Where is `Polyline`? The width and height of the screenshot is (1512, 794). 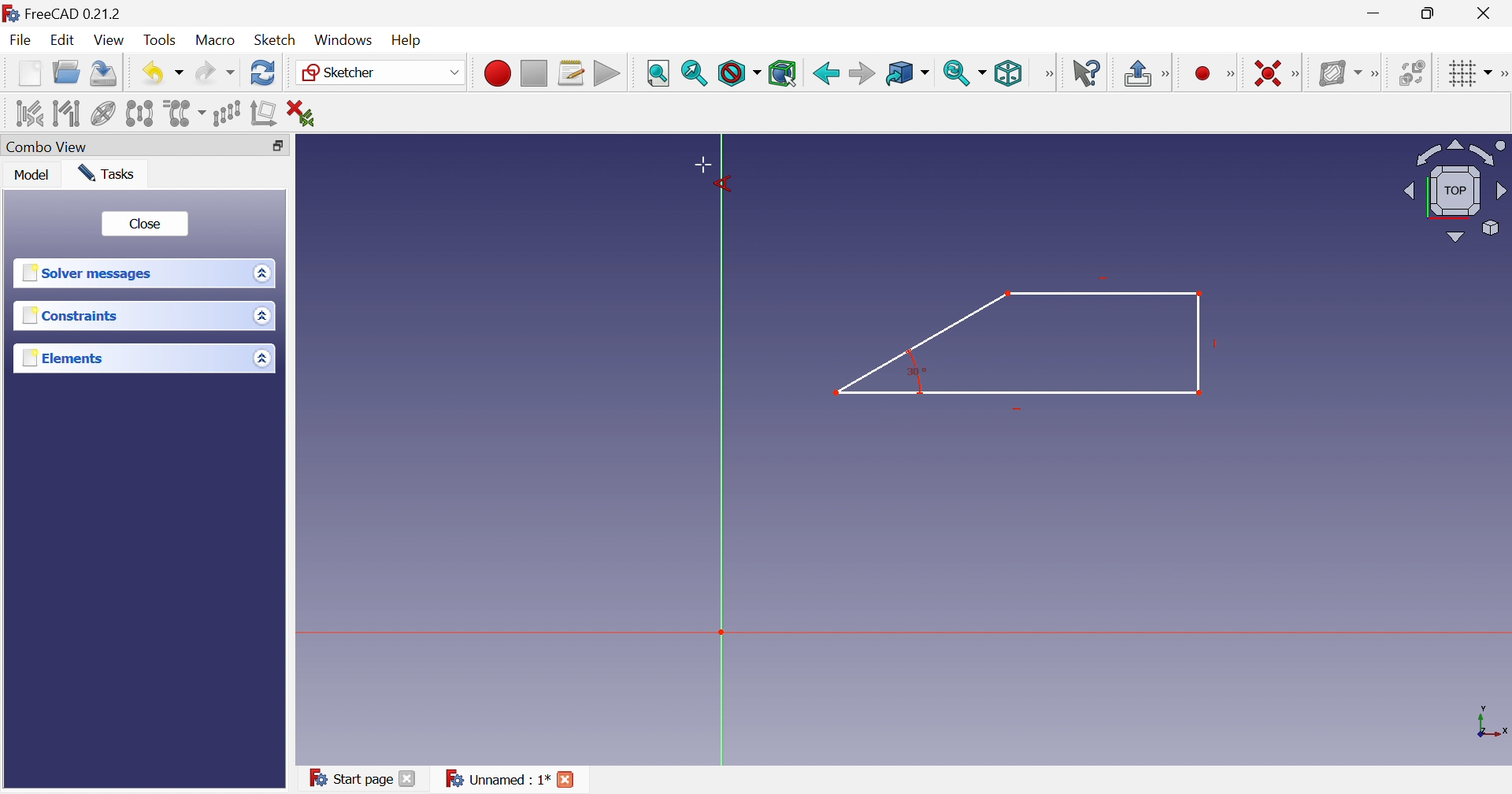 Polyline is located at coordinates (1020, 337).